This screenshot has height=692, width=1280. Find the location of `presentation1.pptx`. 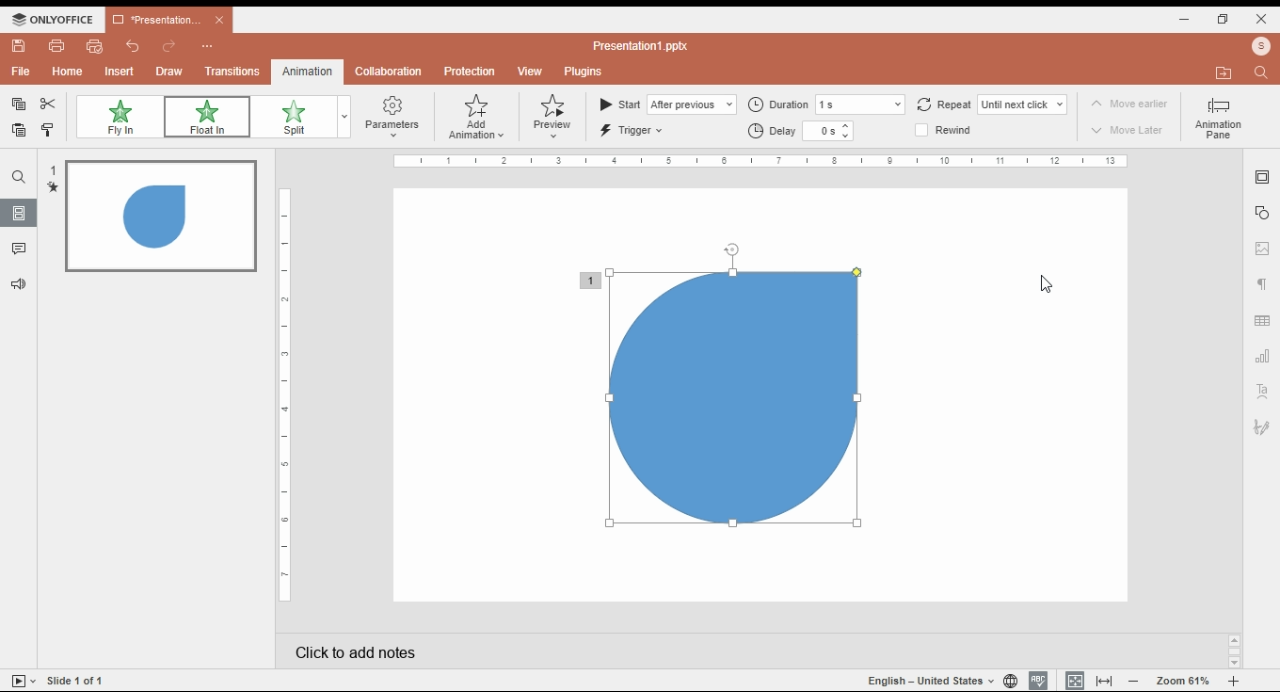

presentation1.pptx is located at coordinates (645, 46).